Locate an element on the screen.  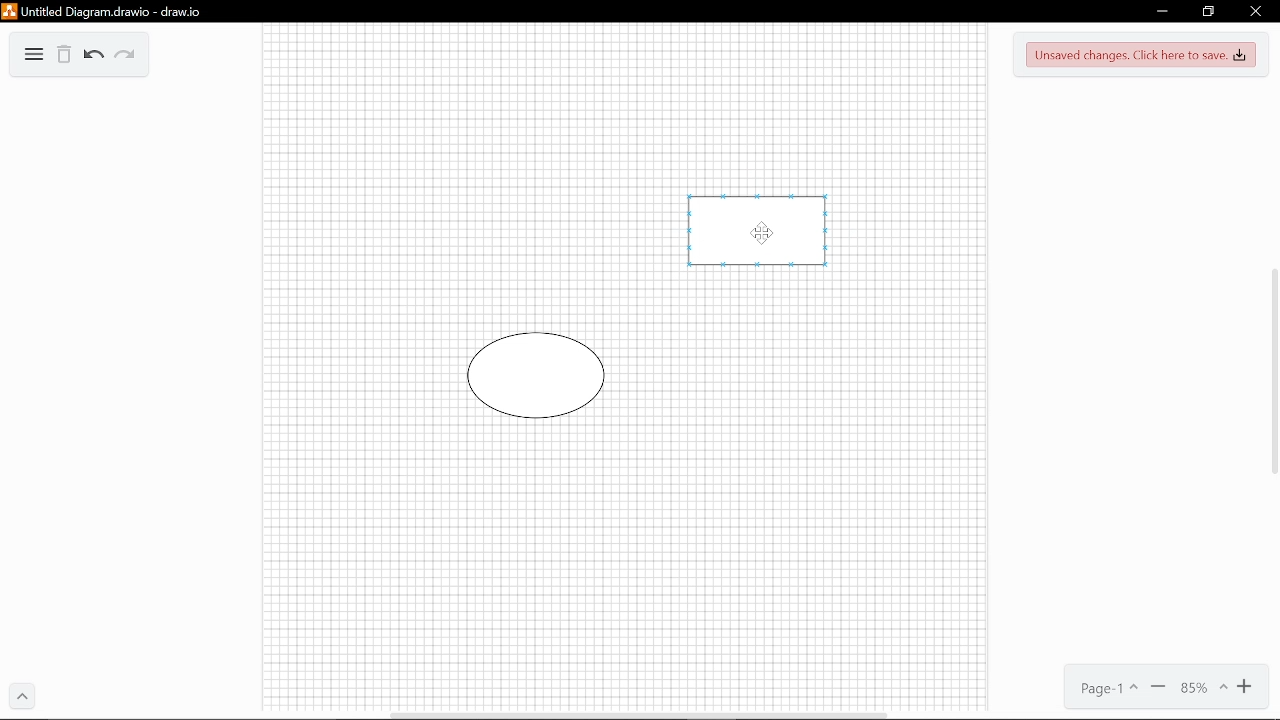
Unsaved changes. Click here to save. is located at coordinates (1141, 56).